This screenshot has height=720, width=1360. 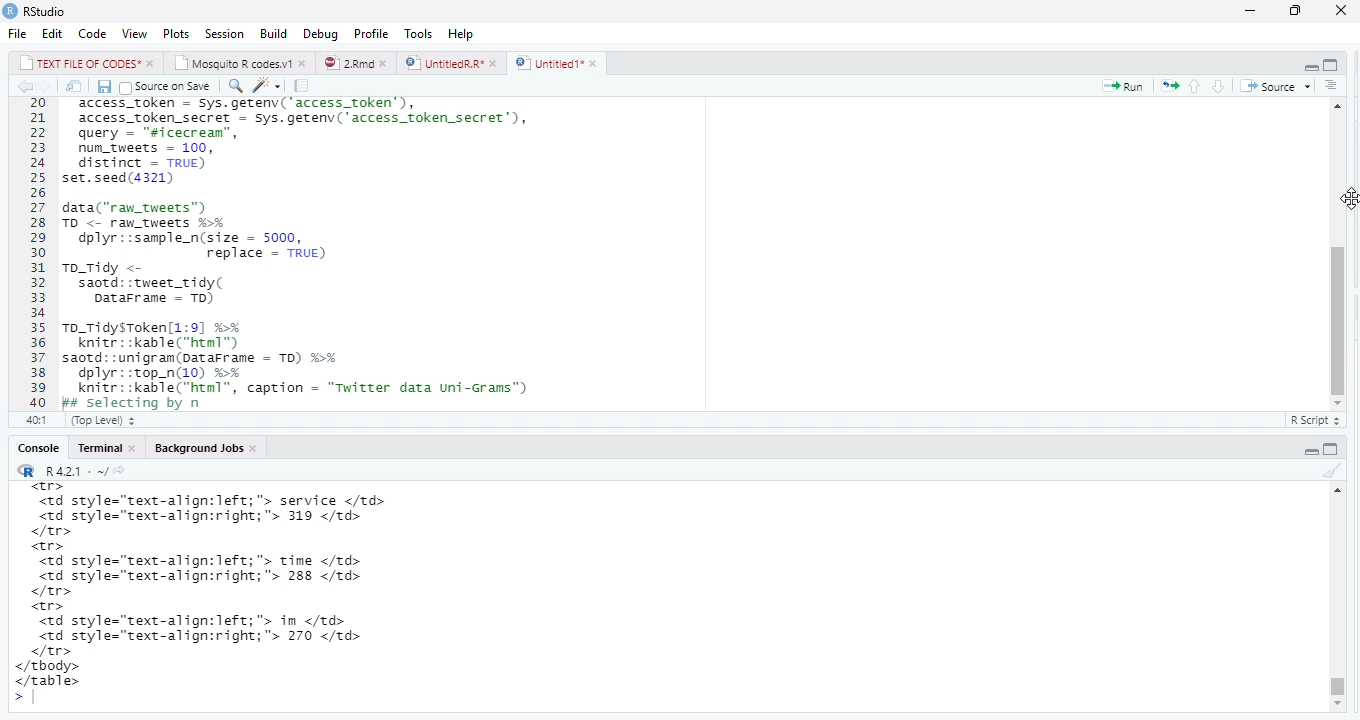 I want to click on D | UntitledR.R*, so click(x=448, y=63).